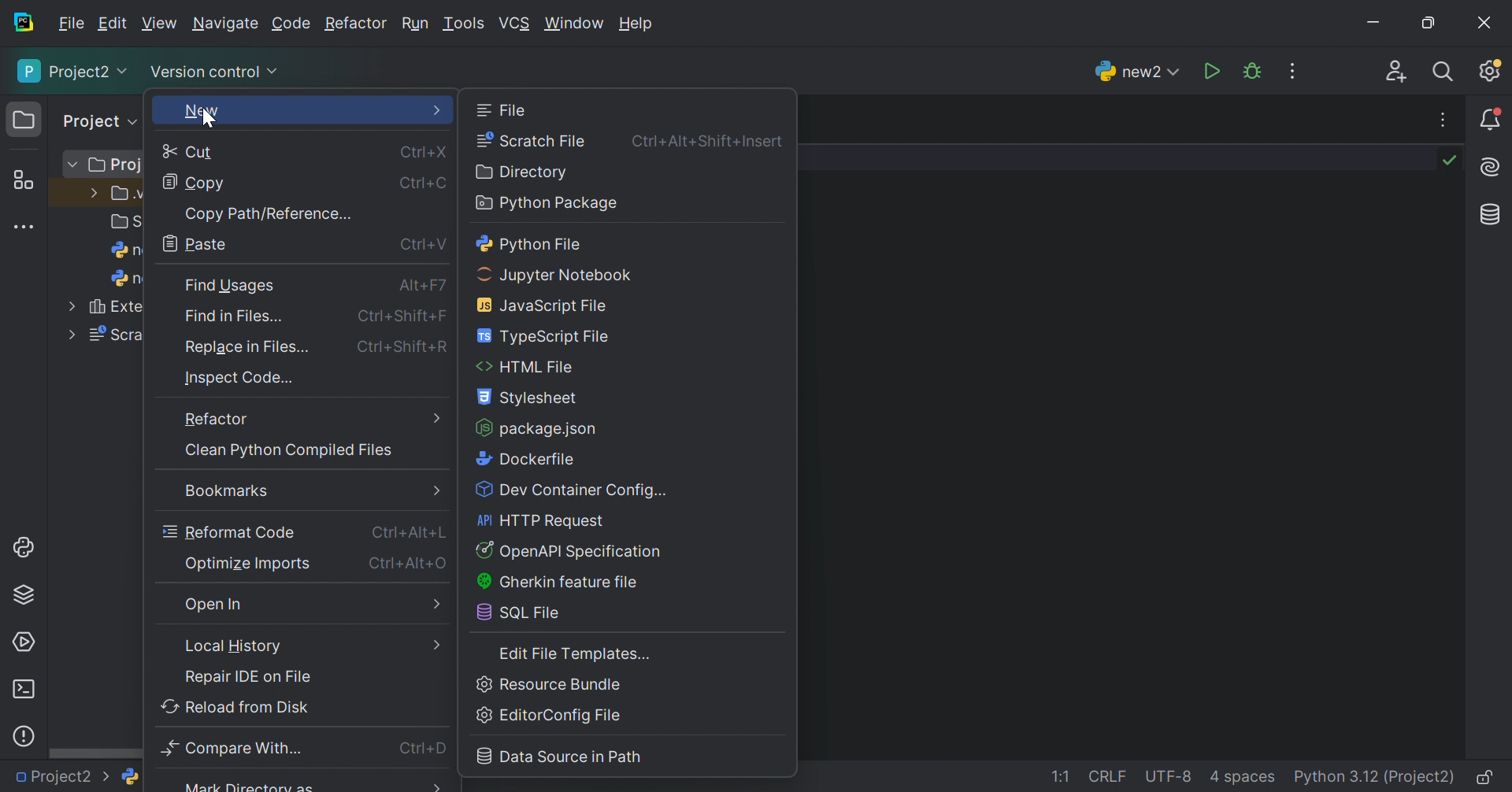 Image resolution: width=1512 pixels, height=792 pixels. I want to click on Project, so click(94, 121).